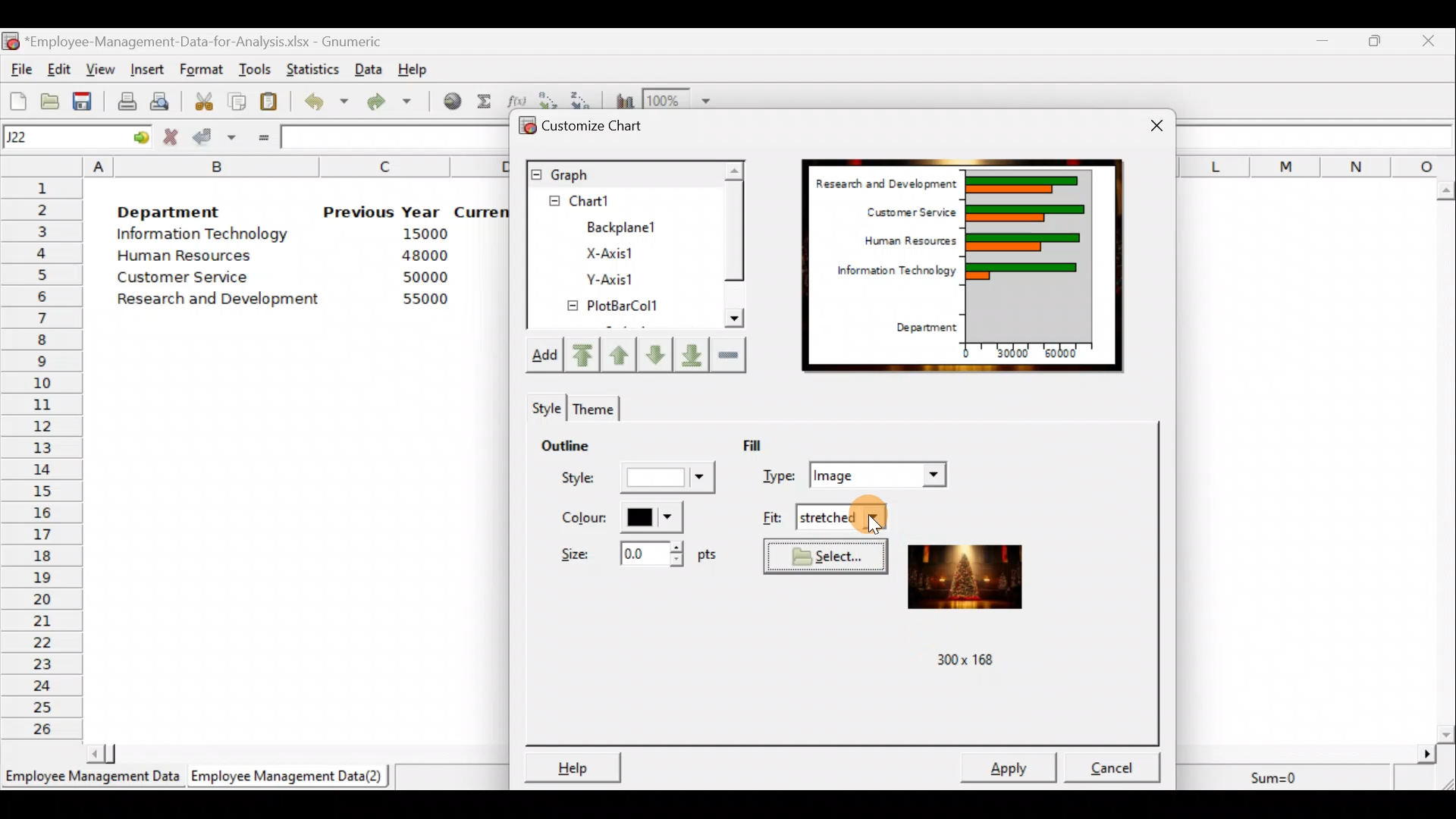  I want to click on Zoom, so click(679, 99).